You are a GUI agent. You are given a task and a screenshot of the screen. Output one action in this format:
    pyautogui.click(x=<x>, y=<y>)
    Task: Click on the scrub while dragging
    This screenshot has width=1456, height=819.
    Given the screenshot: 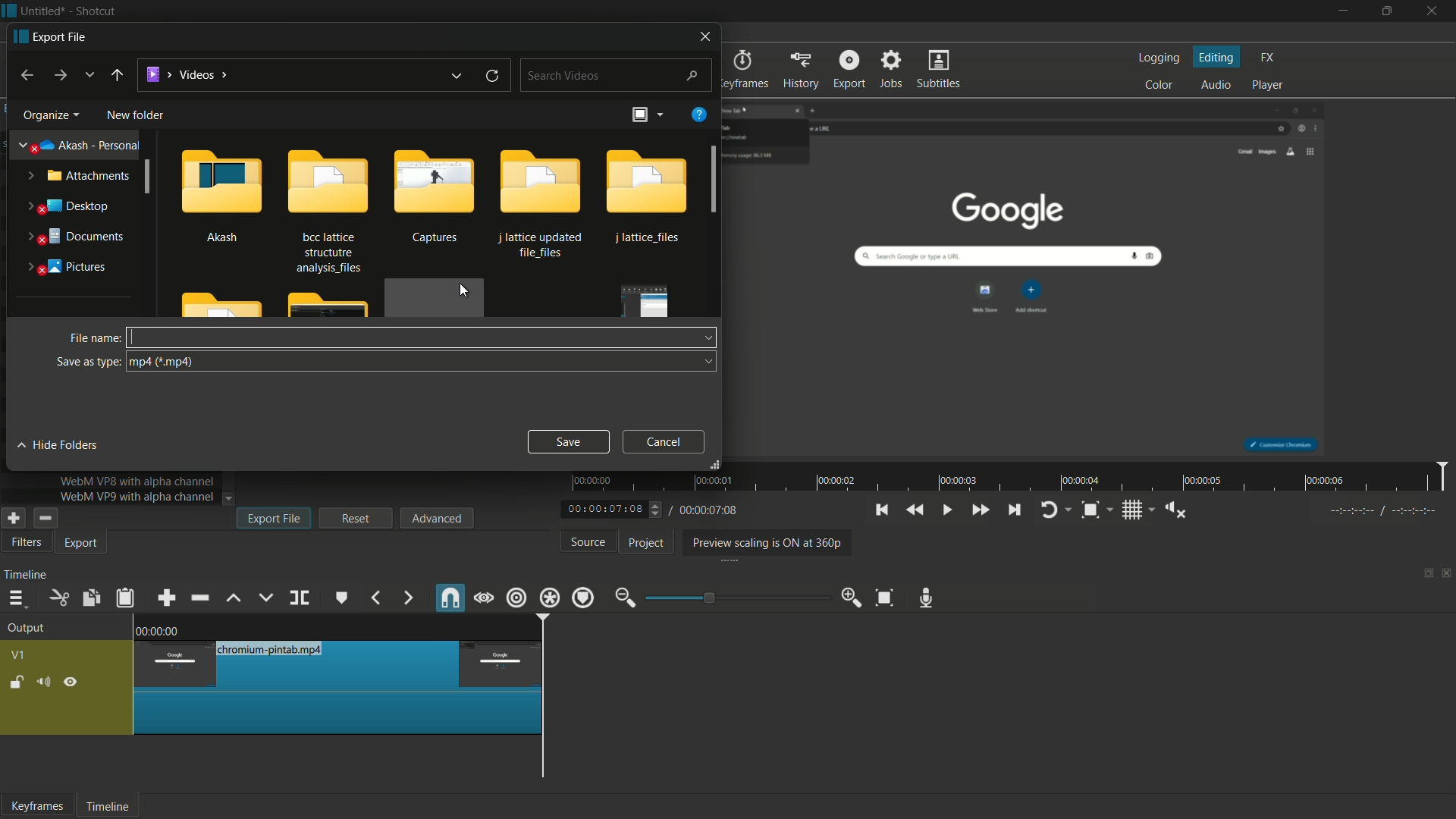 What is the action you would take?
    pyautogui.click(x=485, y=600)
    